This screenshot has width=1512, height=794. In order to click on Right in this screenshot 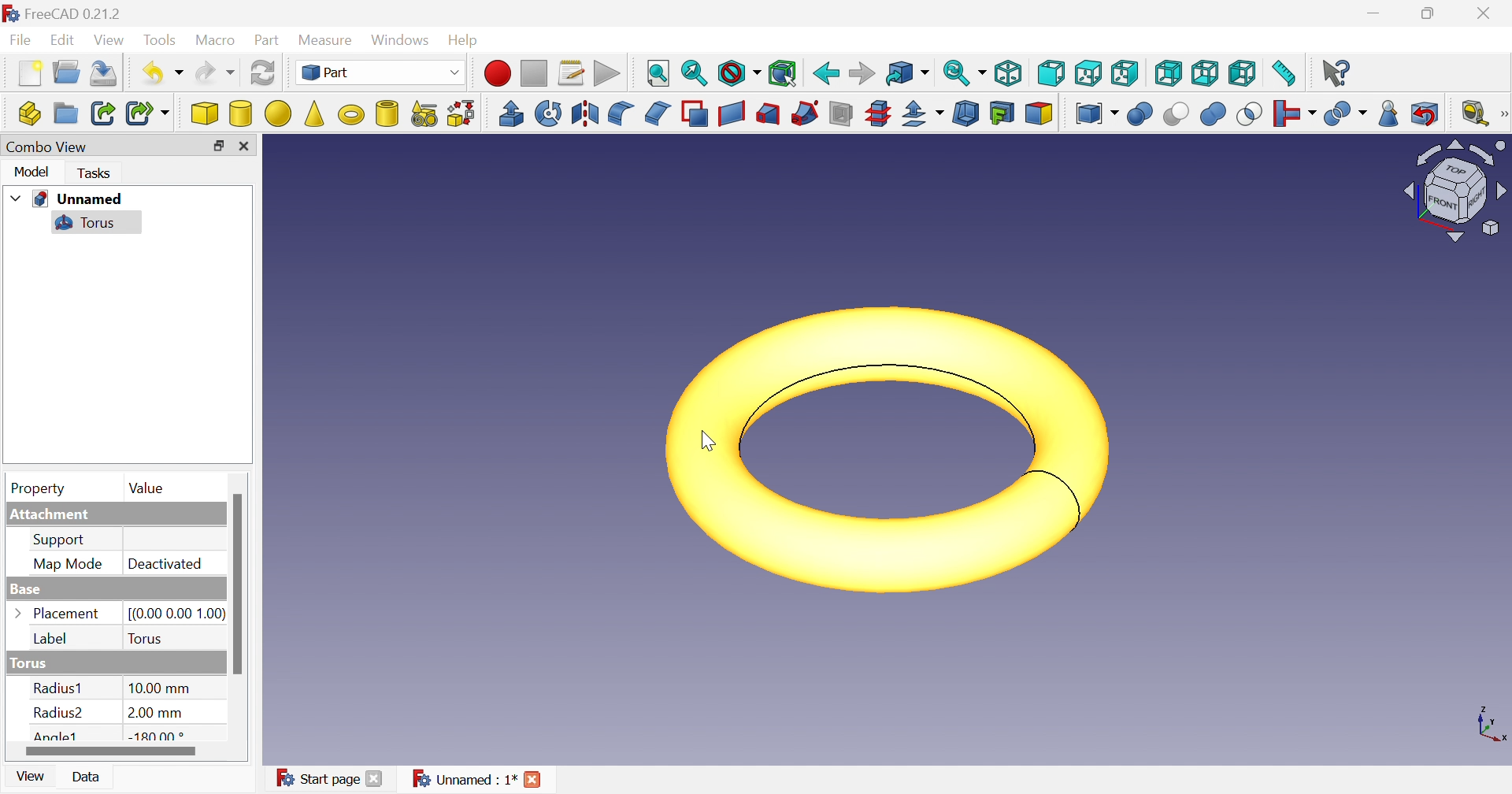, I will do `click(1124, 72)`.